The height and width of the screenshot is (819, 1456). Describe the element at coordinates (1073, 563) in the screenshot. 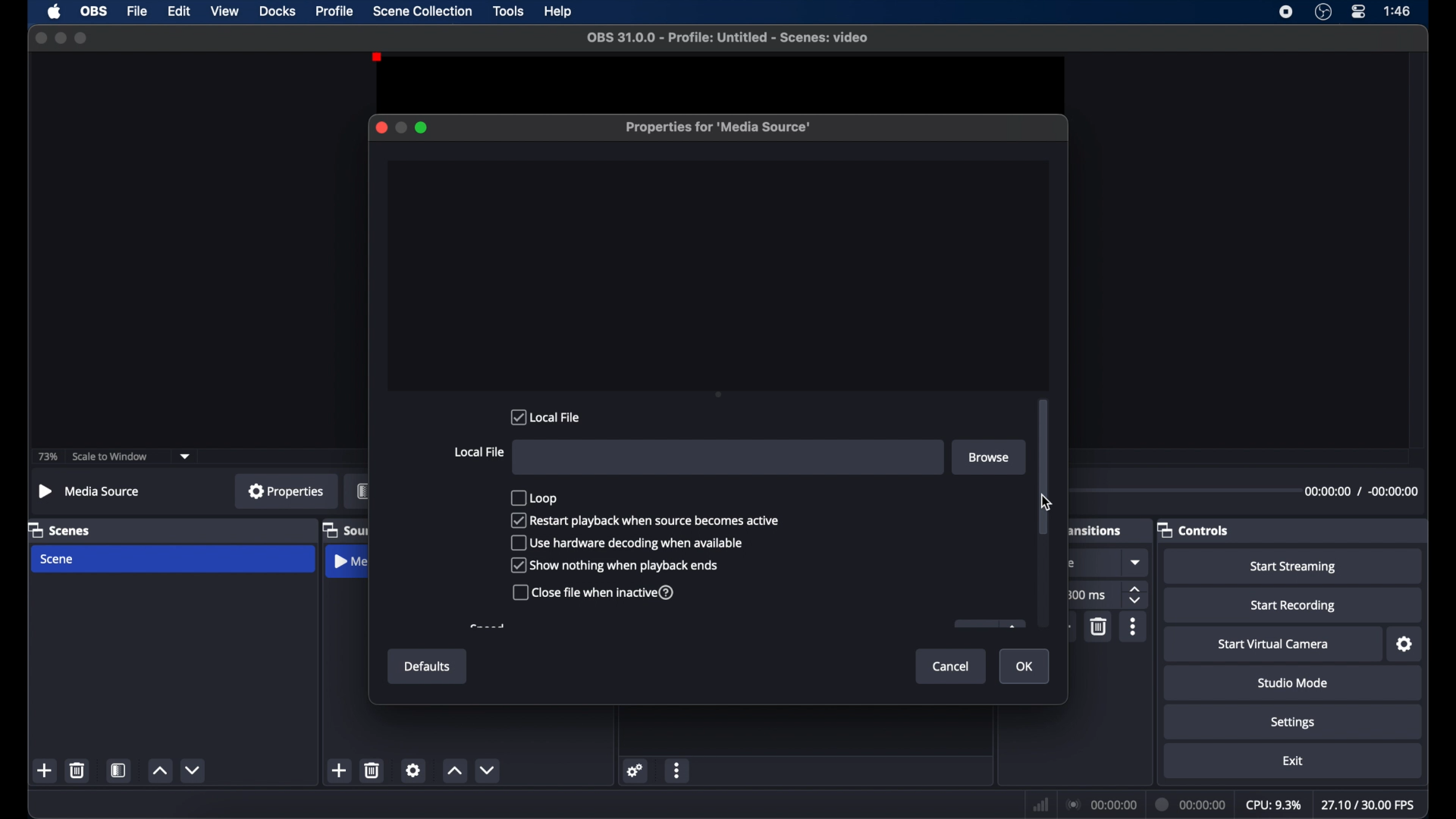

I see `obscure text` at that location.